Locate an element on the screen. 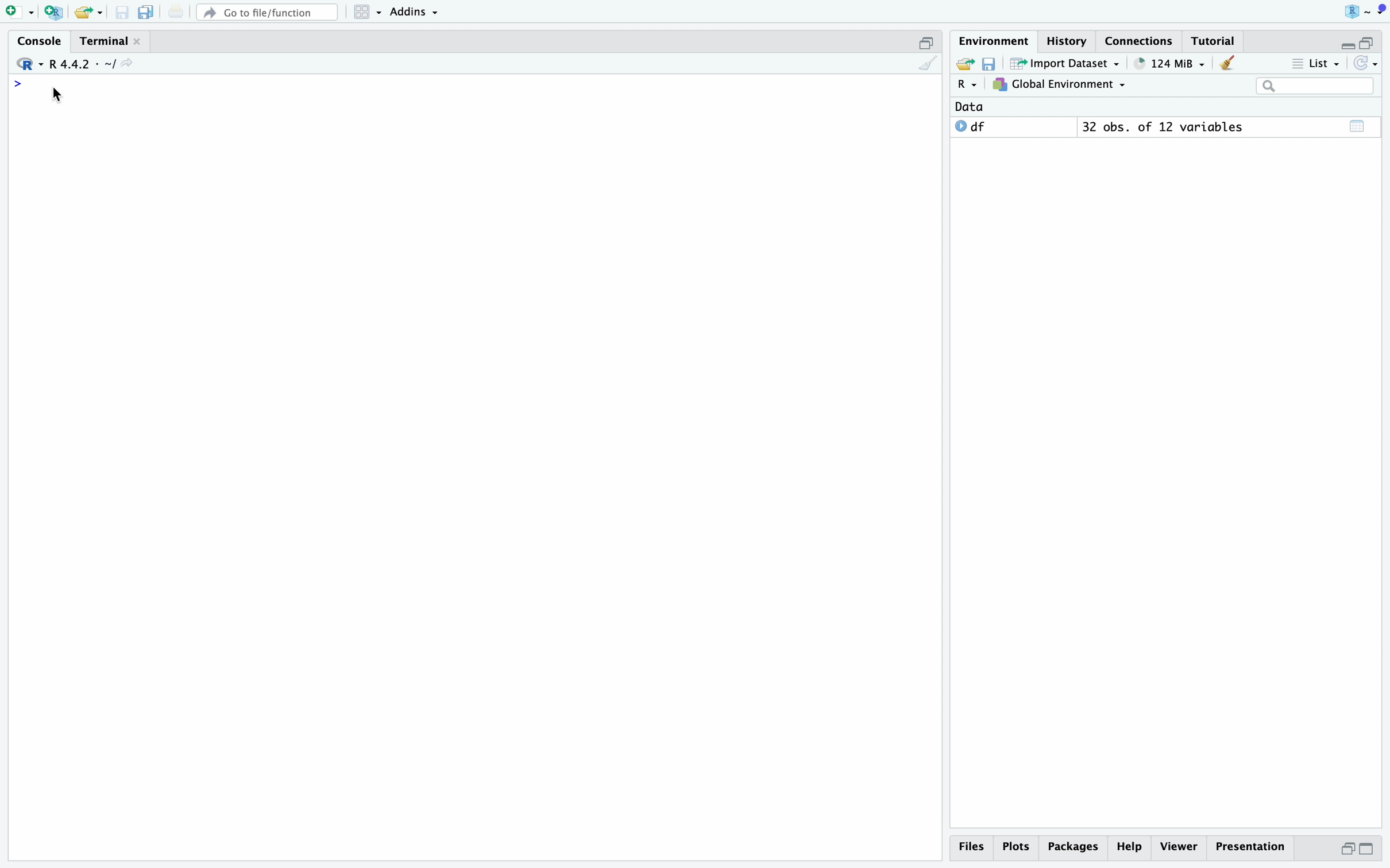  print is located at coordinates (176, 11).